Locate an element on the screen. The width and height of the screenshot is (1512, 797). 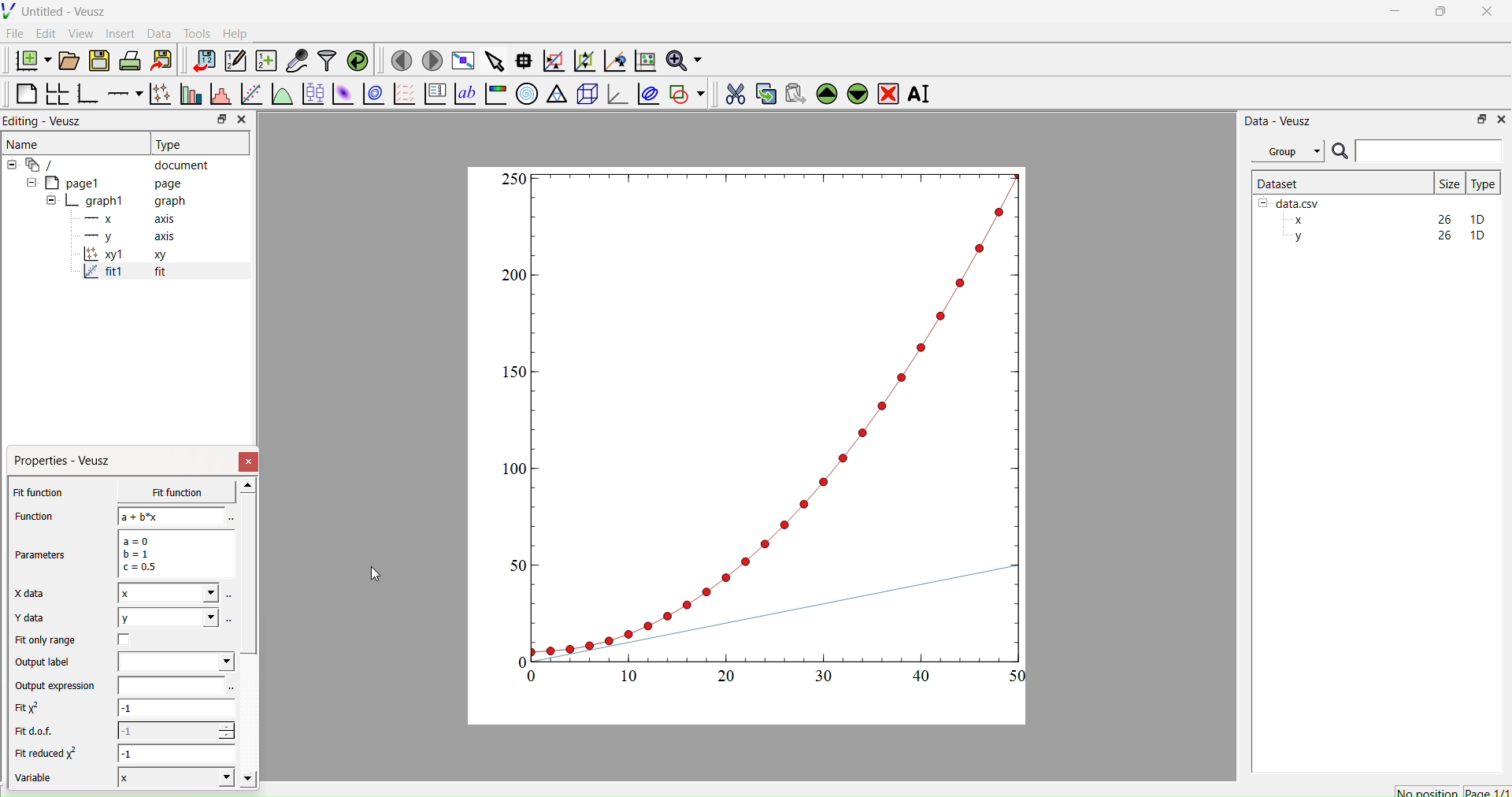
Restore down is located at coordinates (218, 120).